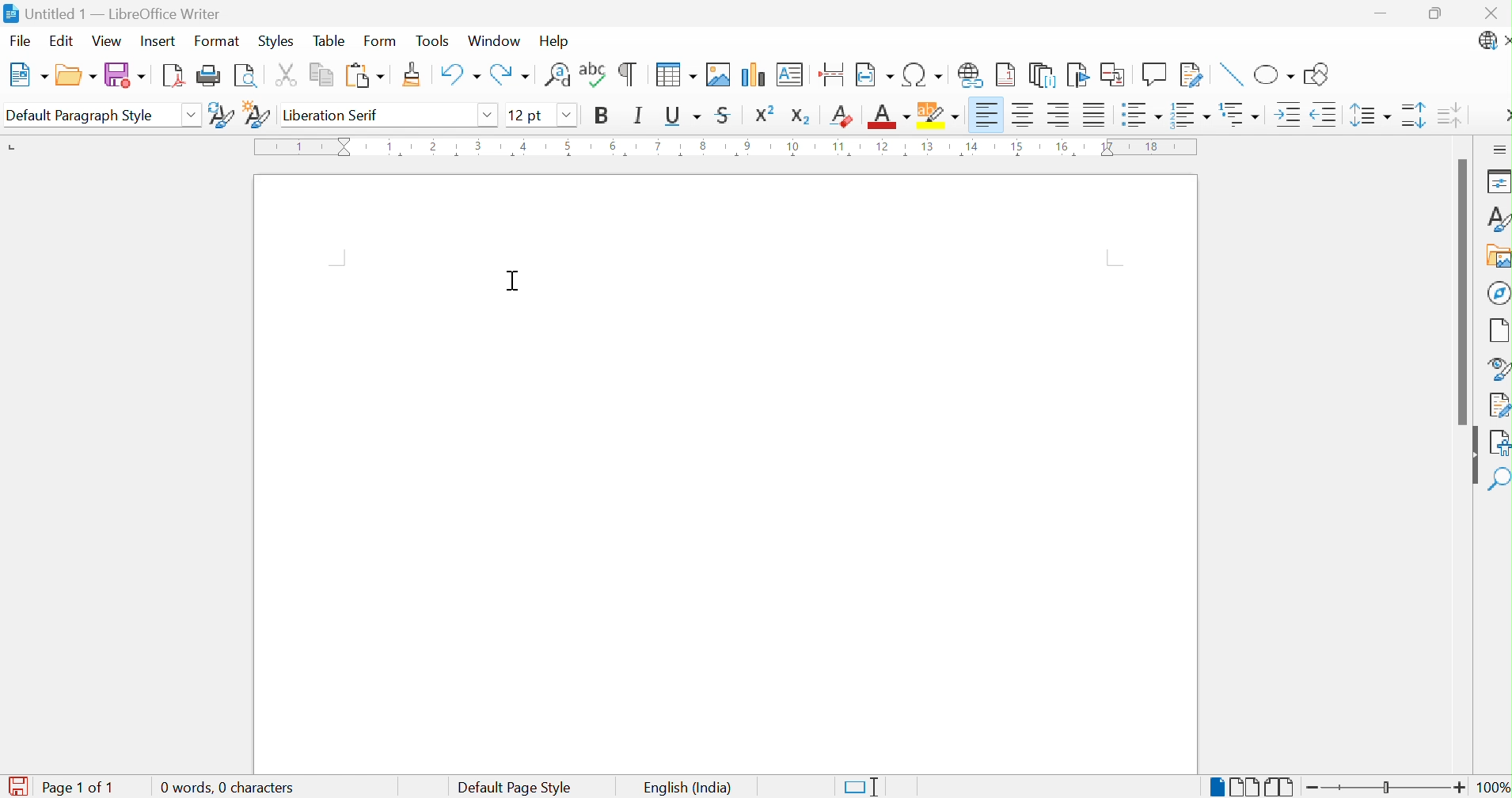  I want to click on Liberation Serif, so click(330, 115).